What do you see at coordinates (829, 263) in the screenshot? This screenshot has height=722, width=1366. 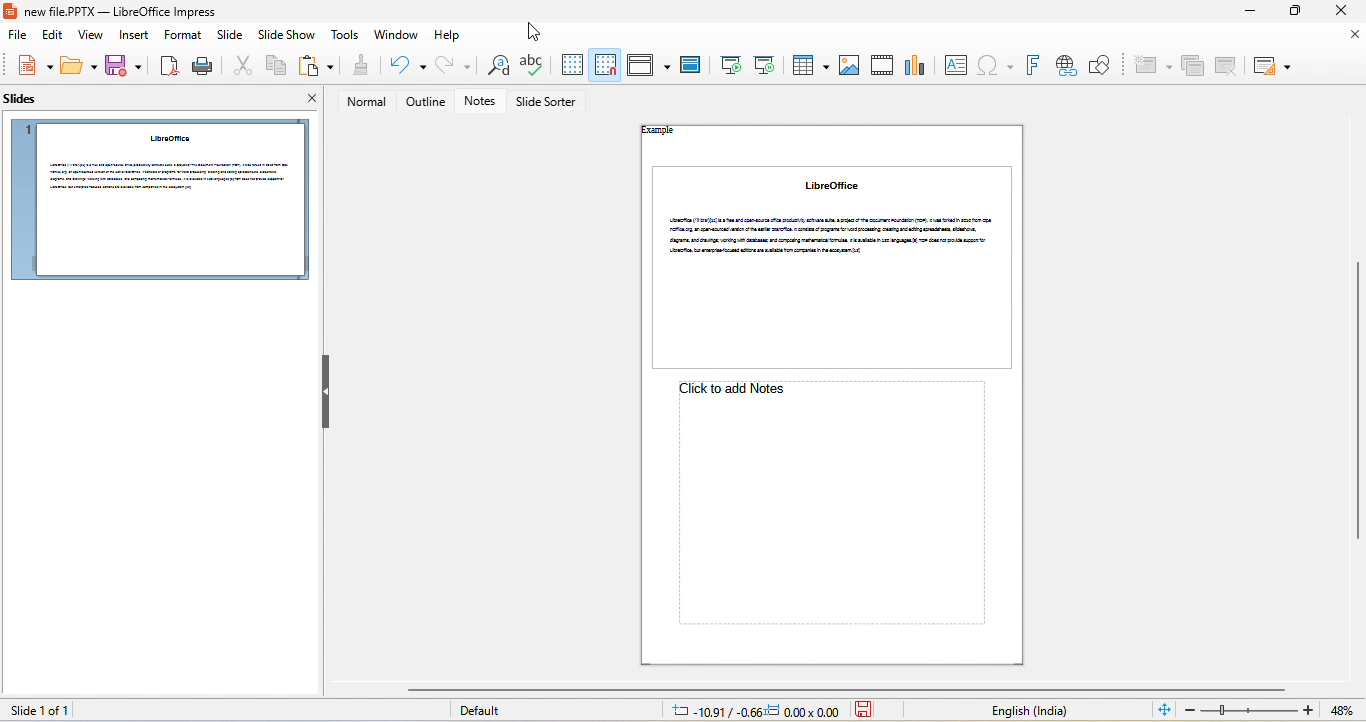 I see `slide` at bounding box center [829, 263].